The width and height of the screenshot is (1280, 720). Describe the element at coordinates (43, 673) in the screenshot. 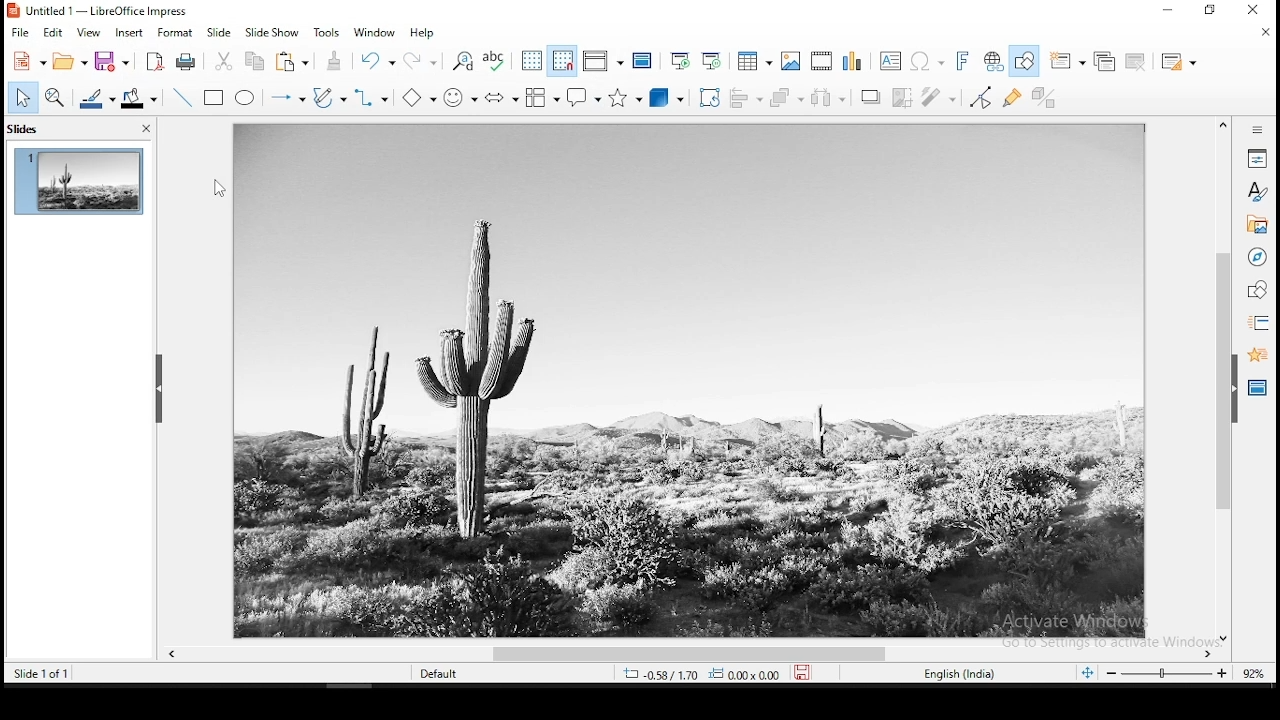

I see `slide of 1 of 1` at that location.